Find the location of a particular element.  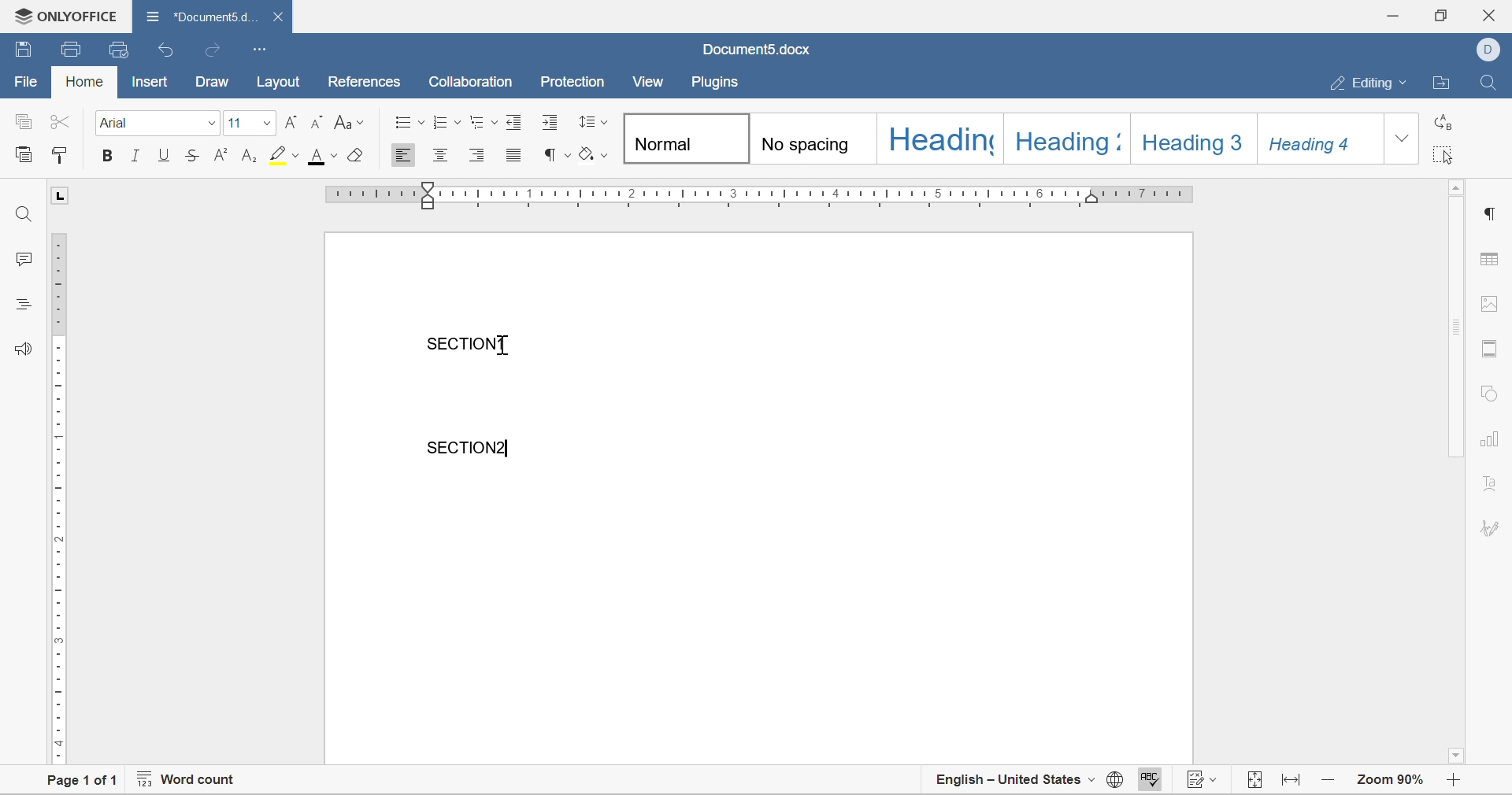

find is located at coordinates (1488, 80).